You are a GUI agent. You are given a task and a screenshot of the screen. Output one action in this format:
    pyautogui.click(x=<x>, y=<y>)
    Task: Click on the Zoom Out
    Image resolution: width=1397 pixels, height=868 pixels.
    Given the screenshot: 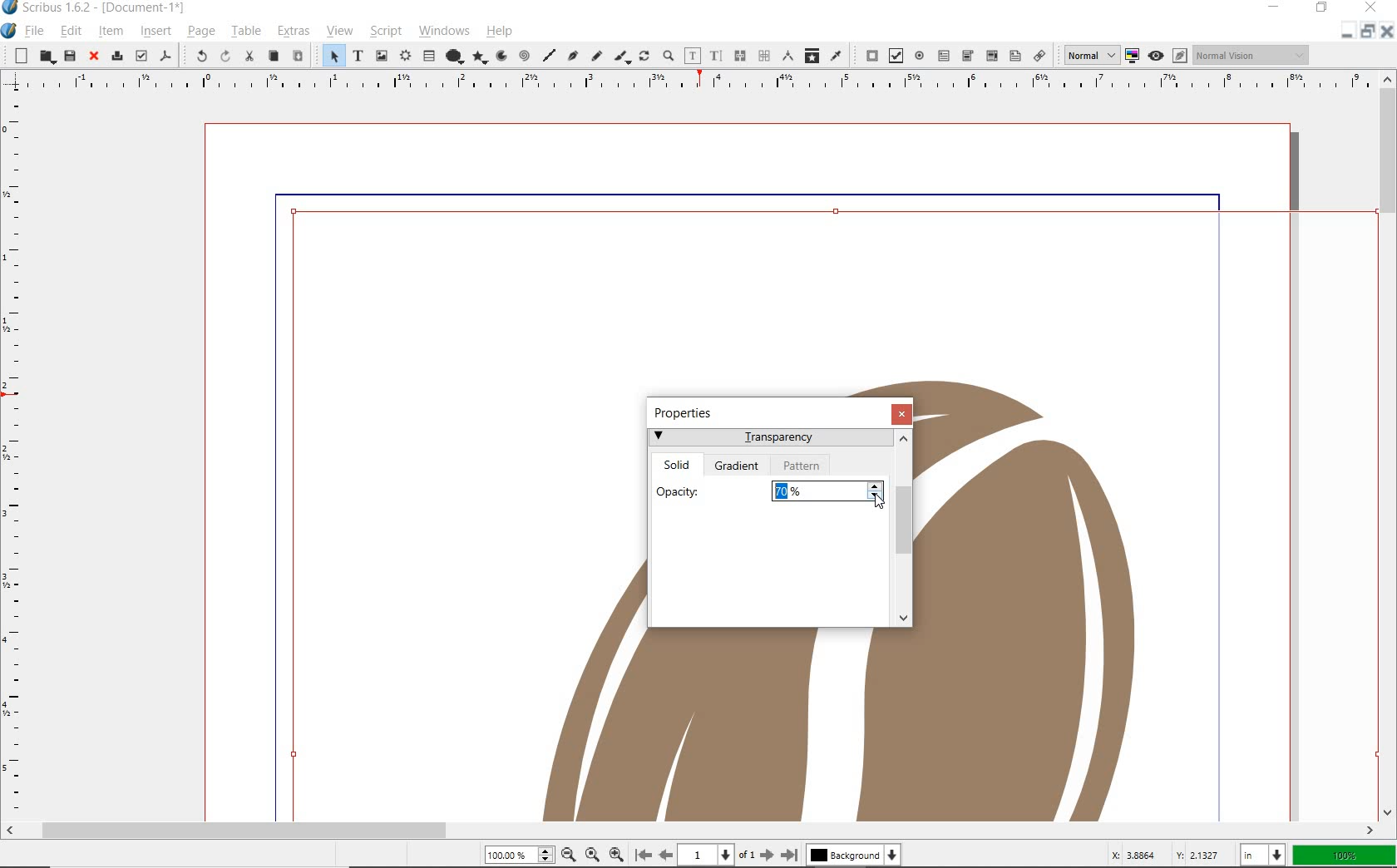 What is the action you would take?
    pyautogui.click(x=569, y=855)
    